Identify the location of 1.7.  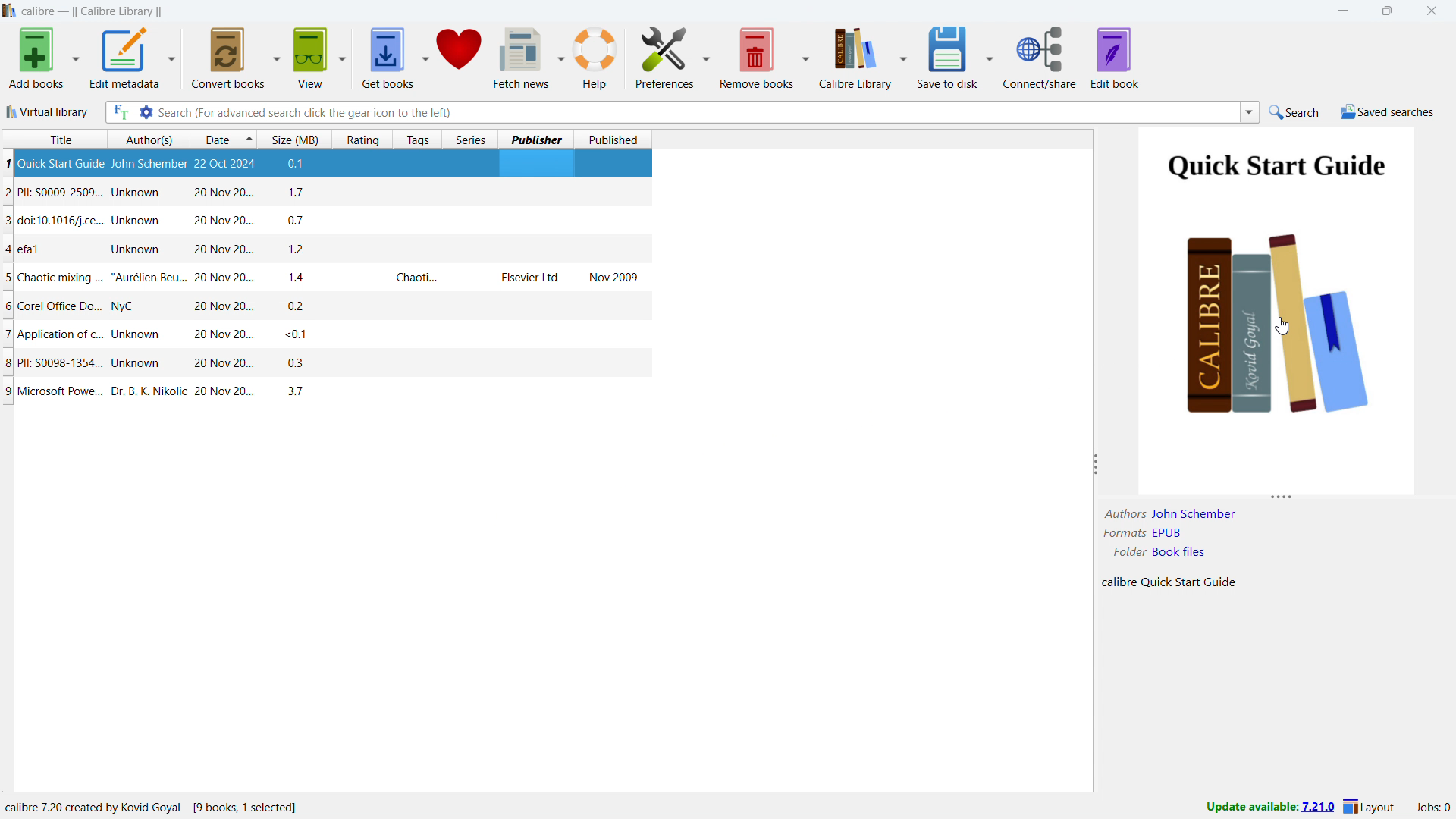
(300, 193).